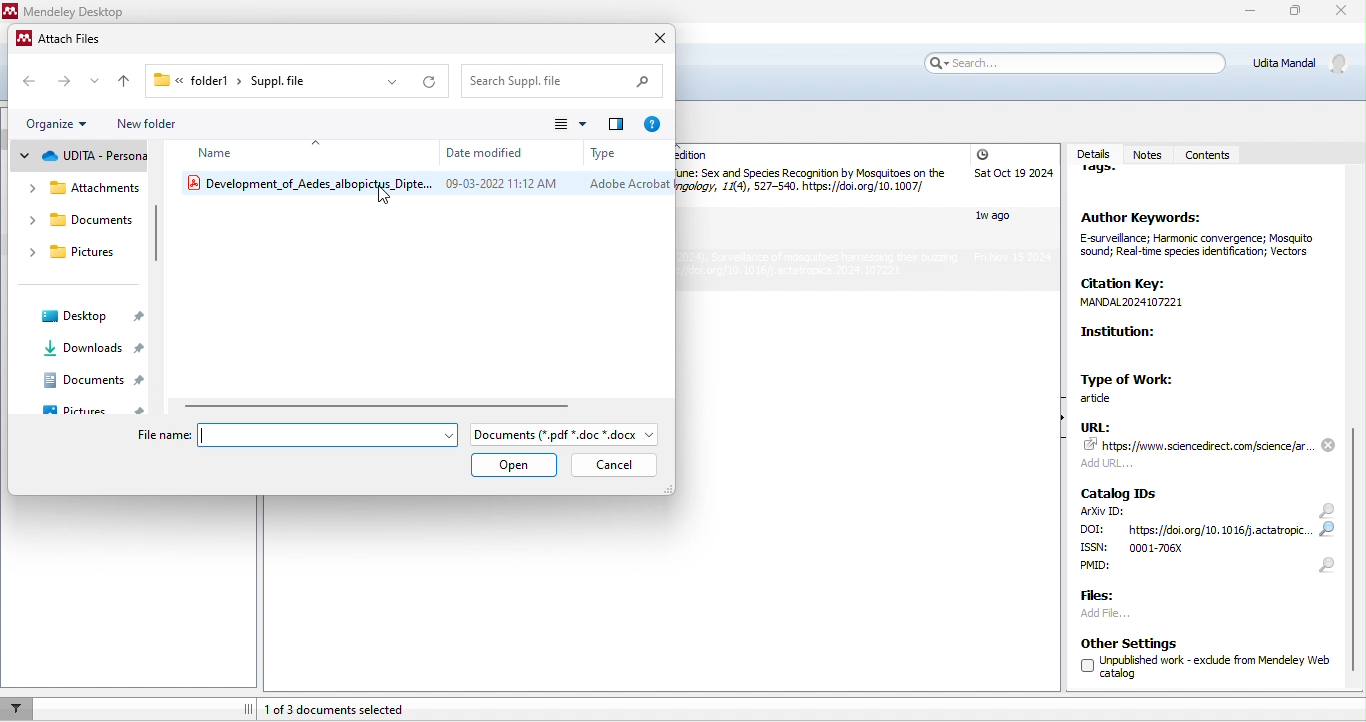 The image size is (1366, 722). I want to click on search, so click(564, 81).